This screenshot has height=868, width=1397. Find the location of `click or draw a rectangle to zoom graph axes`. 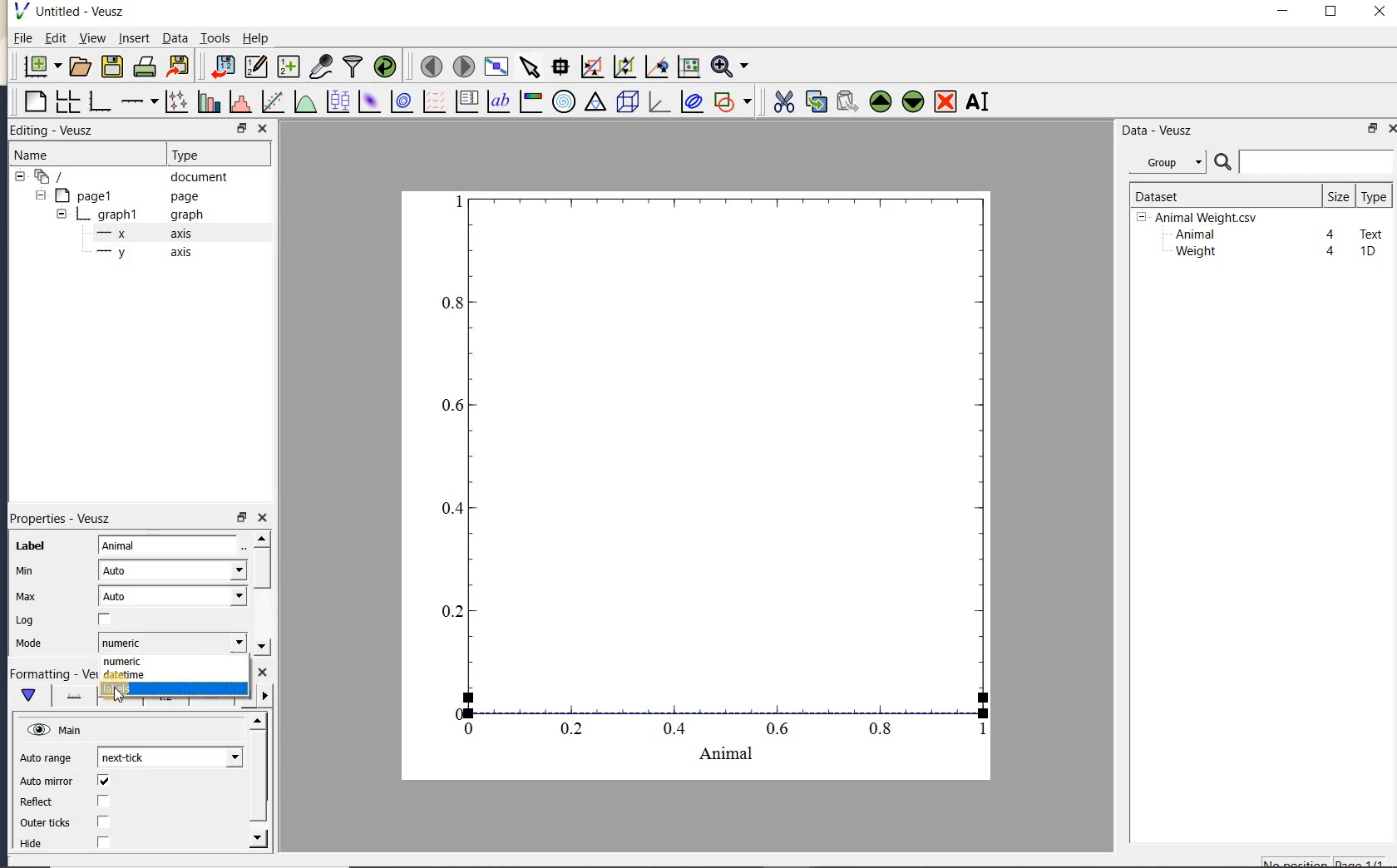

click or draw a rectangle to zoom graph axes is located at coordinates (591, 67).